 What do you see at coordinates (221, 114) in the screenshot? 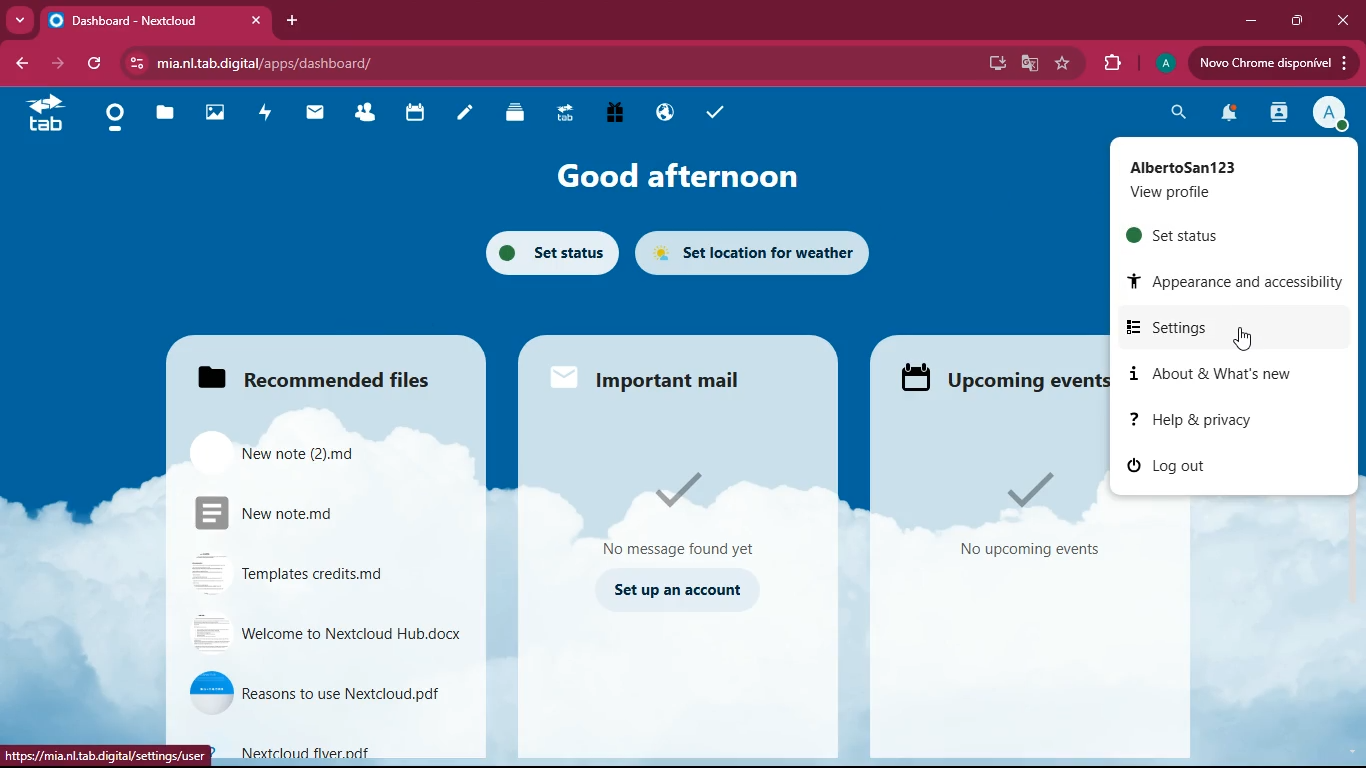
I see `images` at bounding box center [221, 114].